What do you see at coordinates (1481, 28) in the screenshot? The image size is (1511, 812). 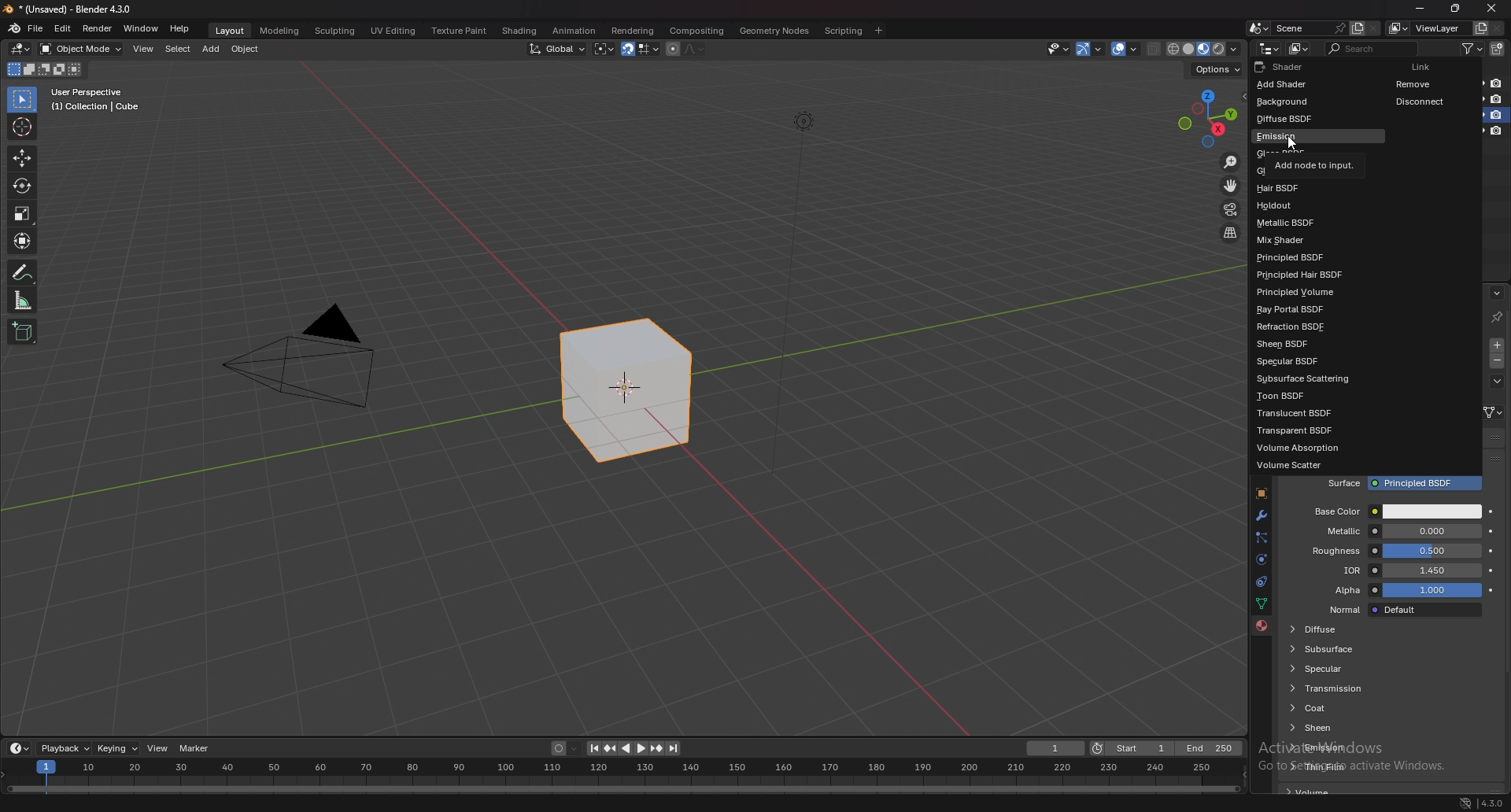 I see `add viewlayer` at bounding box center [1481, 28].